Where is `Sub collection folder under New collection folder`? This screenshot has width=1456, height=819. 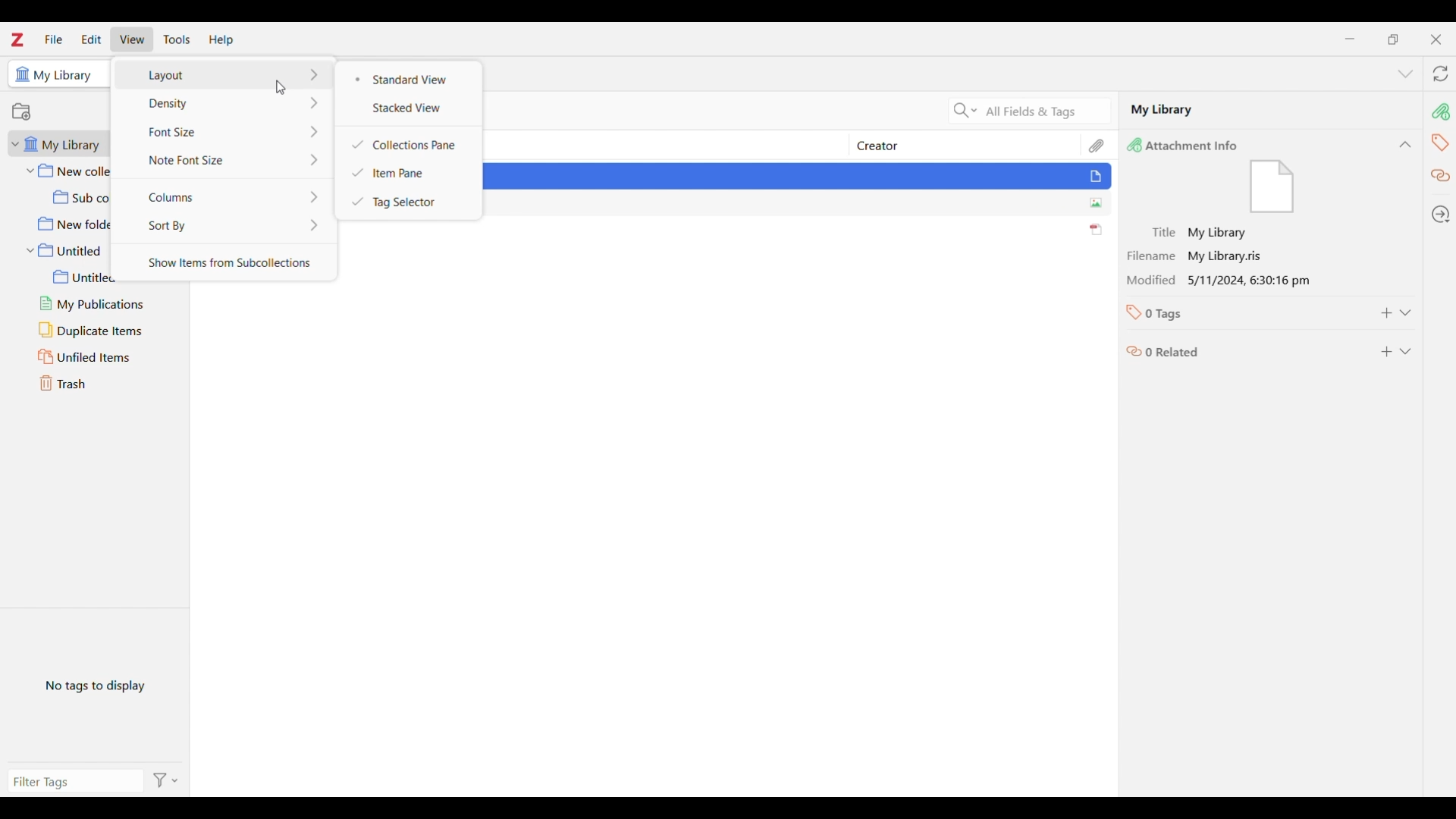 Sub collection folder under New collection folder is located at coordinates (67, 196).